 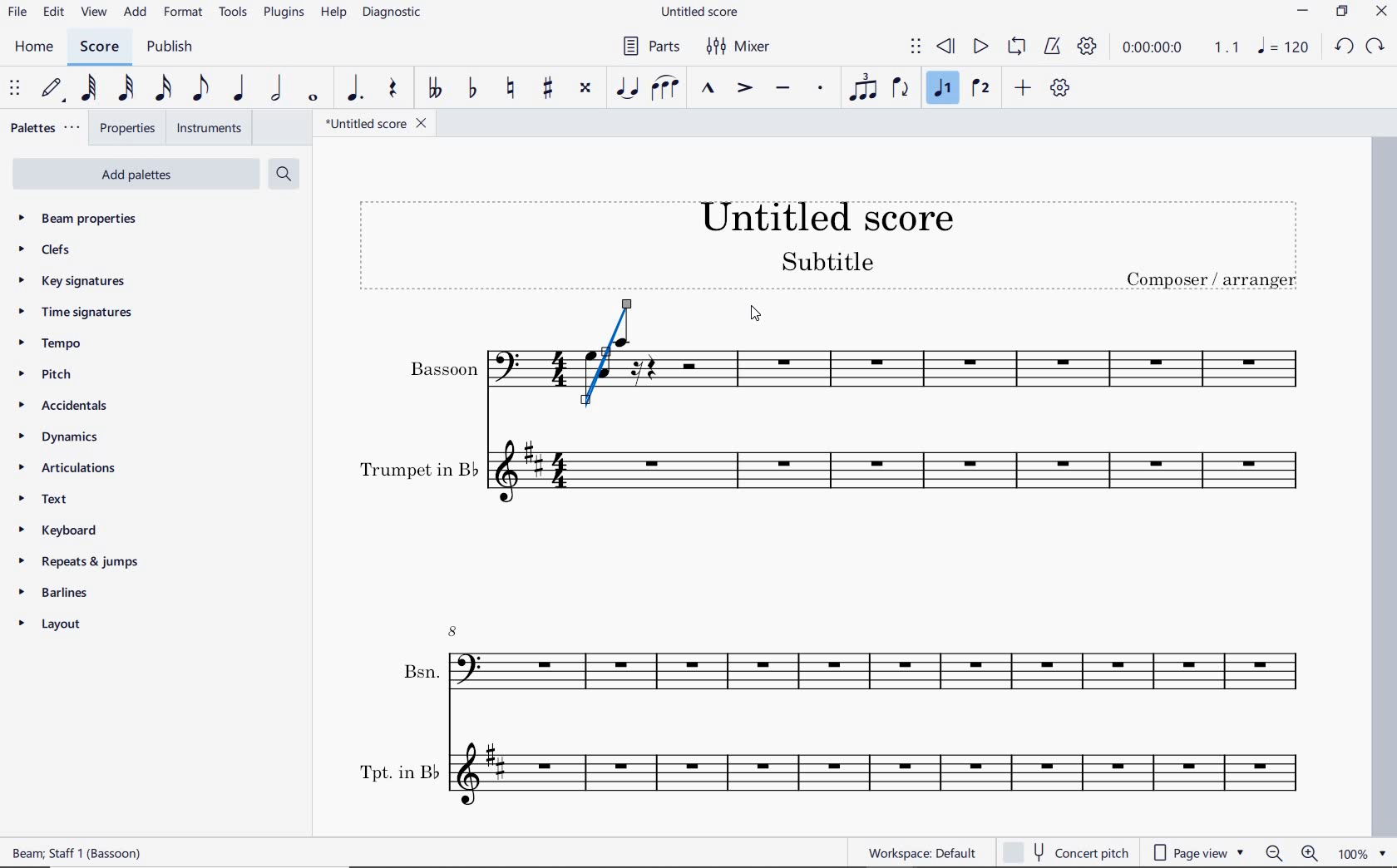 What do you see at coordinates (1063, 851) in the screenshot?
I see `concert pitch` at bounding box center [1063, 851].